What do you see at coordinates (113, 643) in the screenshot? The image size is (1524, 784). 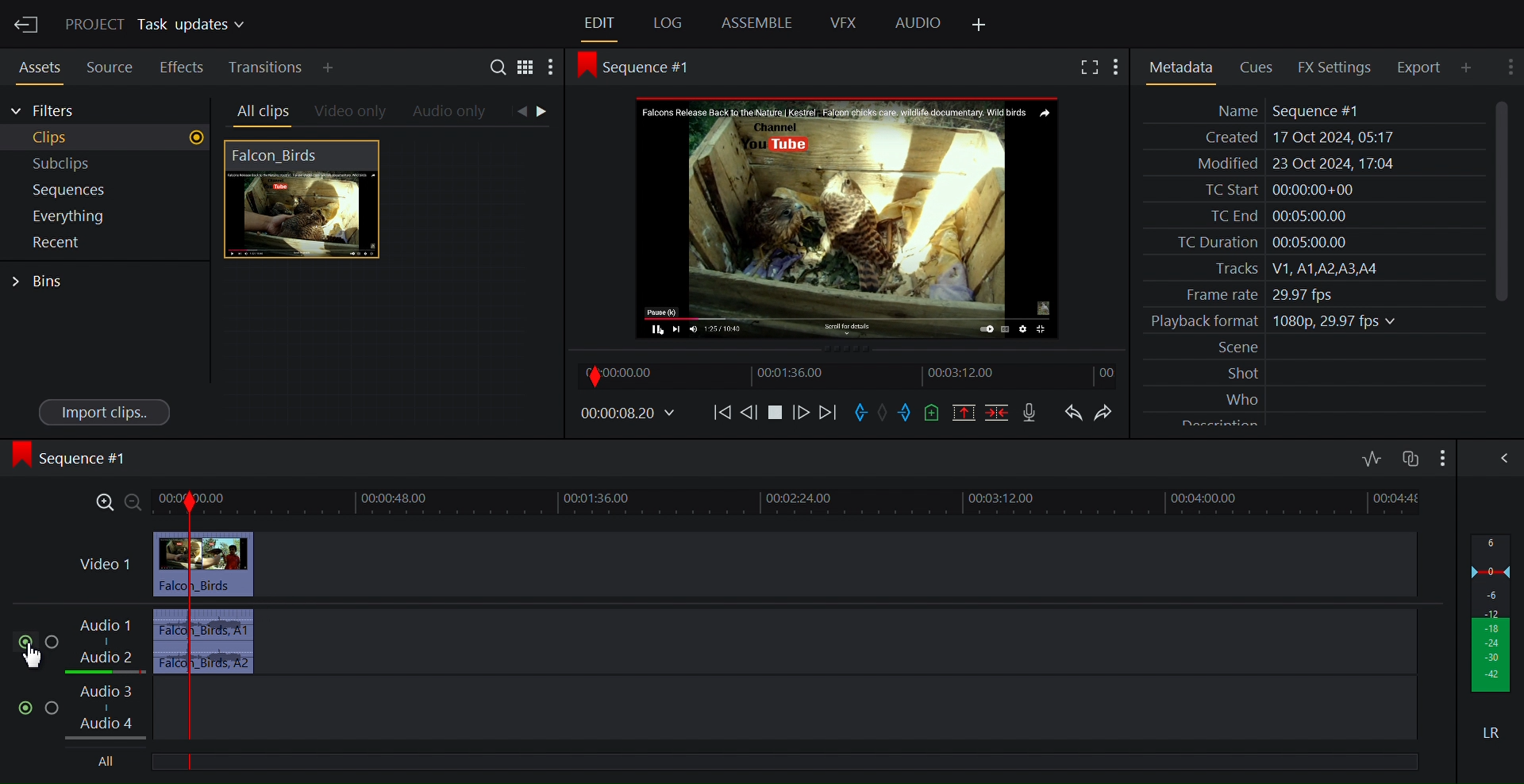 I see `Audio Track 1, Audio Track 2` at bounding box center [113, 643].